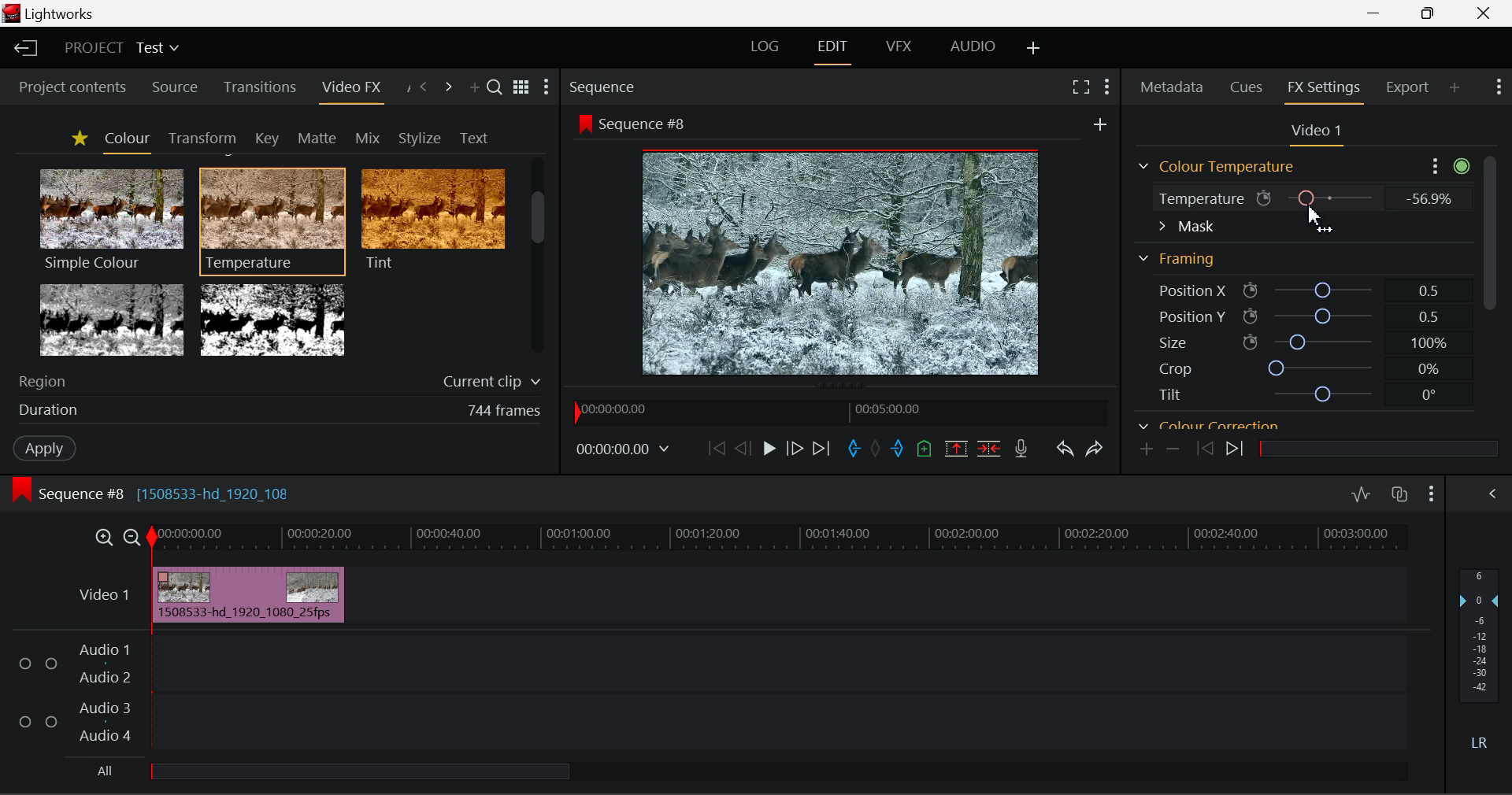  I want to click on Previous keyframe, so click(1200, 449).